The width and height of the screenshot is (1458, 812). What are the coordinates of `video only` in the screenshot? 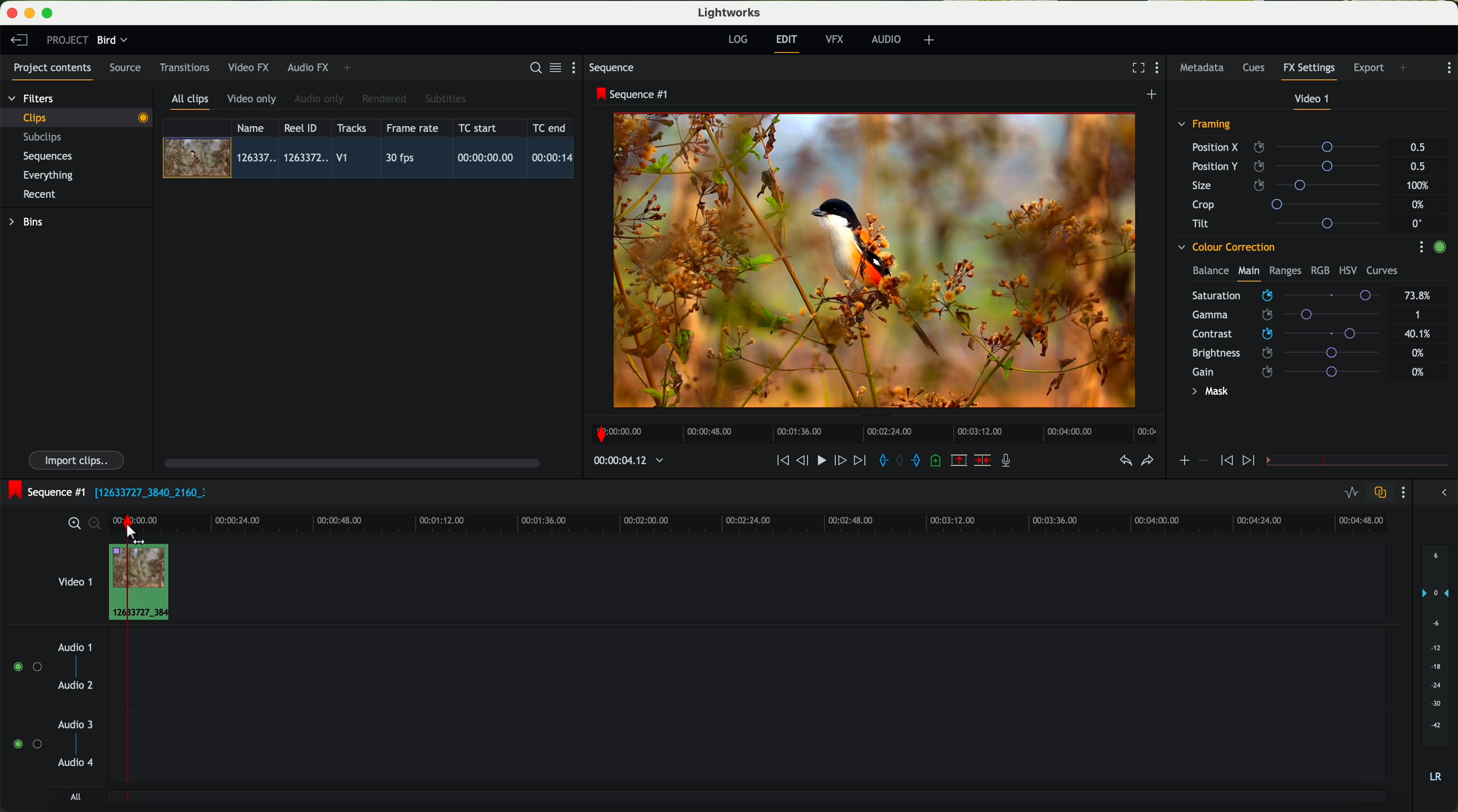 It's located at (251, 100).